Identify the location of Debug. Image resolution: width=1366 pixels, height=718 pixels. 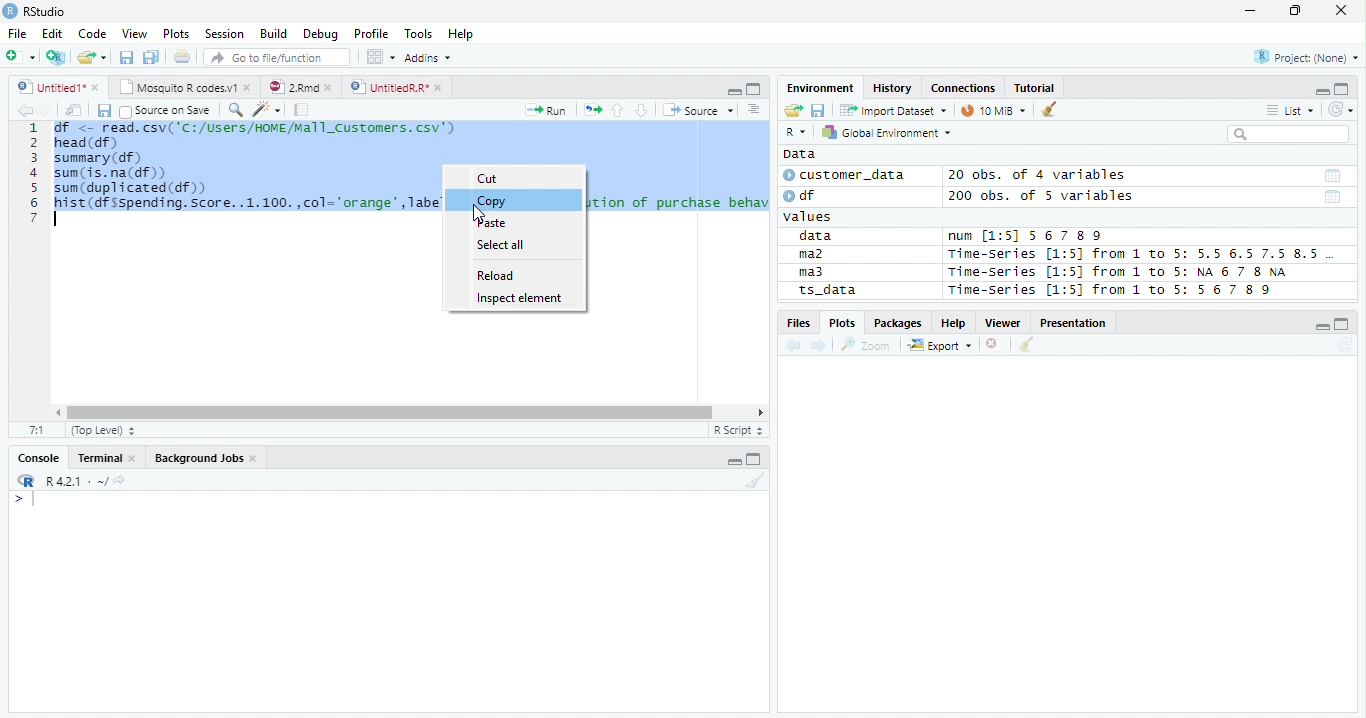
(321, 35).